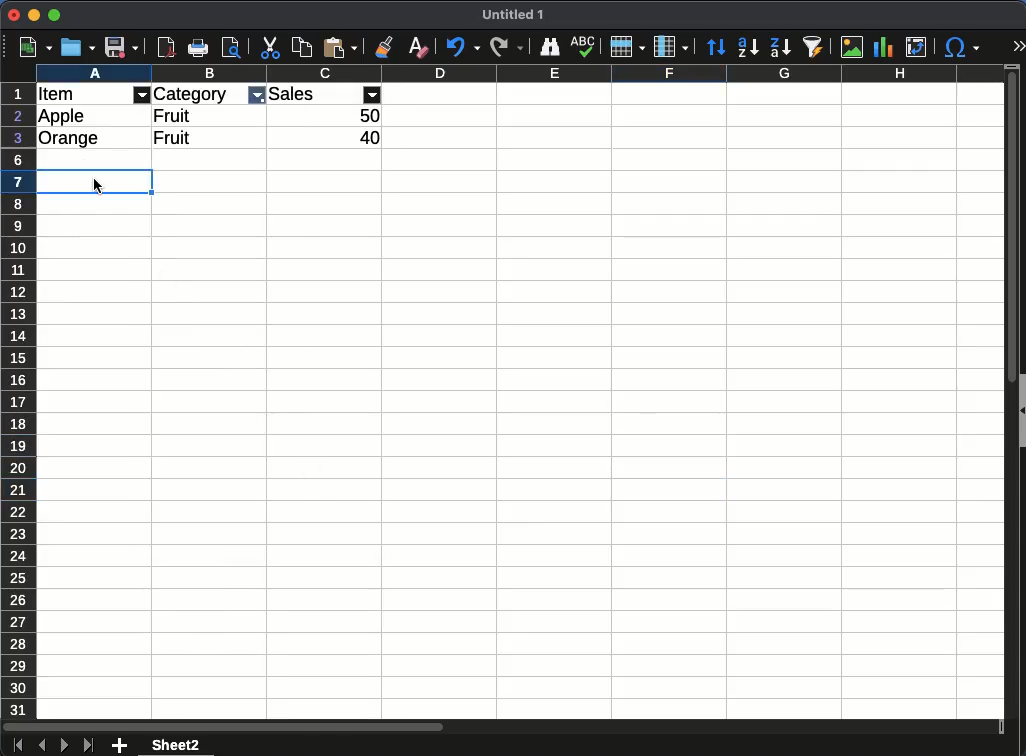 The height and width of the screenshot is (756, 1026). I want to click on filter, so click(373, 94).